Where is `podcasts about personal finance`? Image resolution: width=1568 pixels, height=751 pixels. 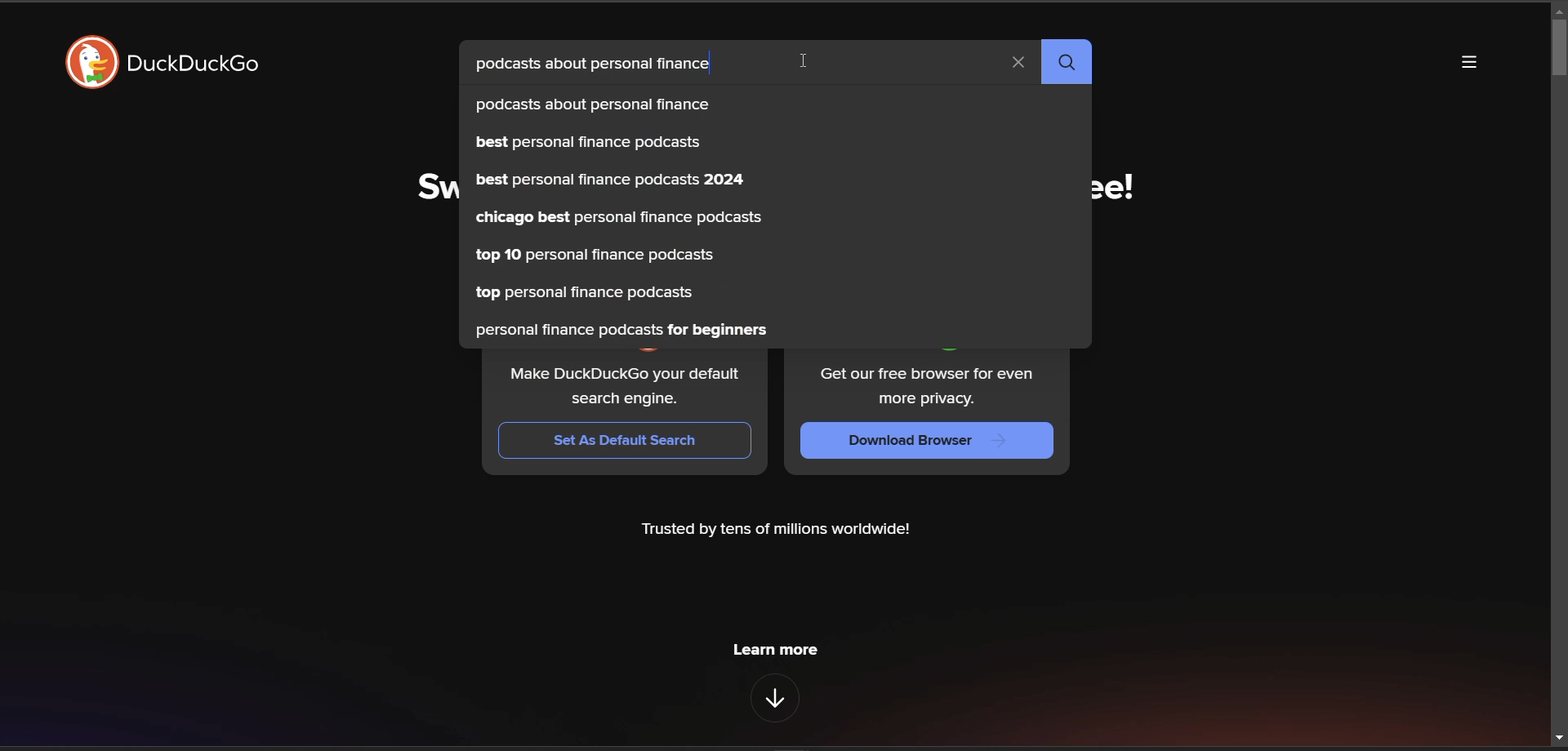 podcasts about personal finance is located at coordinates (590, 65).